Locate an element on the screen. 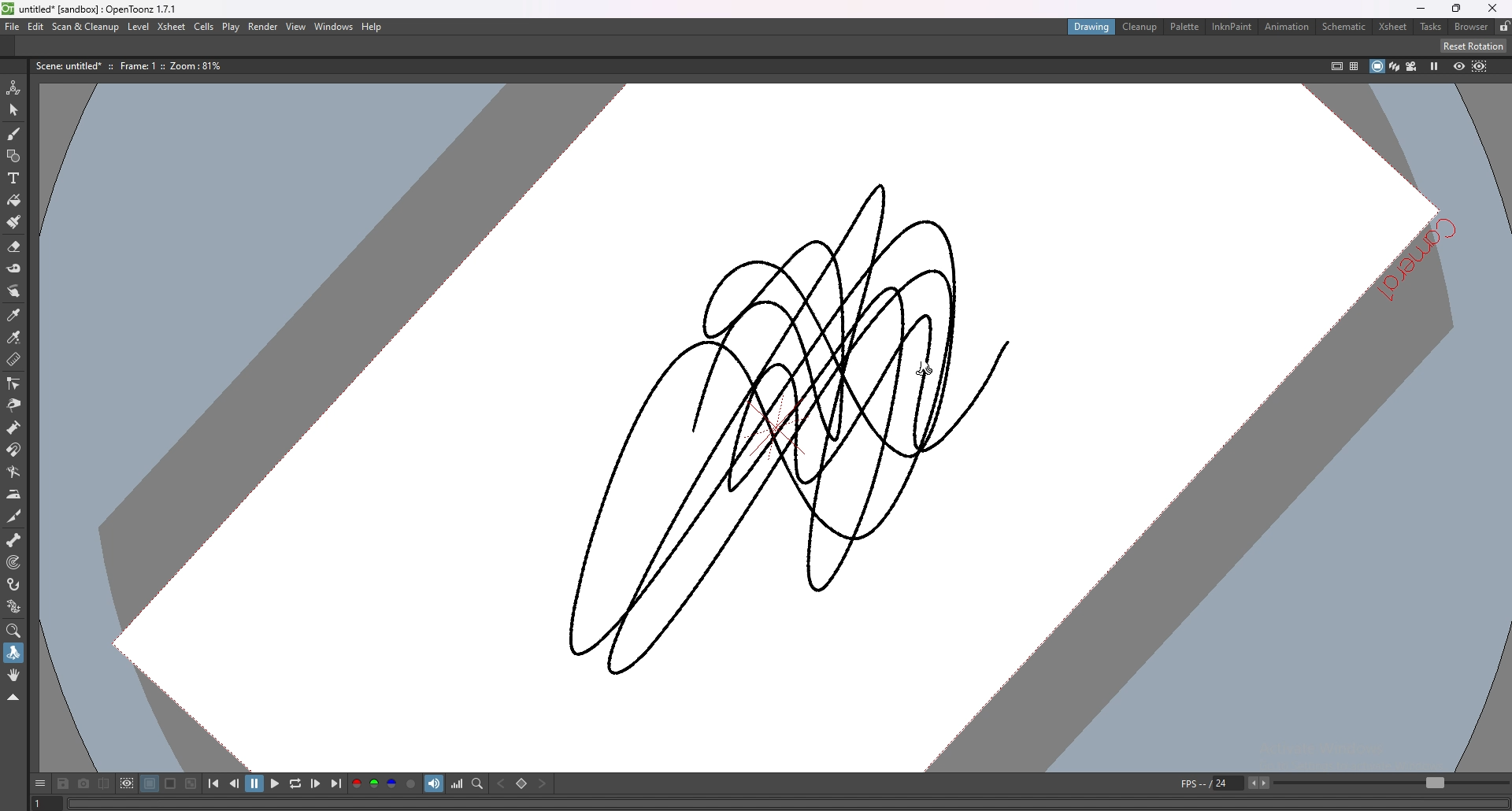 The width and height of the screenshot is (1512, 811). camera stand view is located at coordinates (1376, 66).